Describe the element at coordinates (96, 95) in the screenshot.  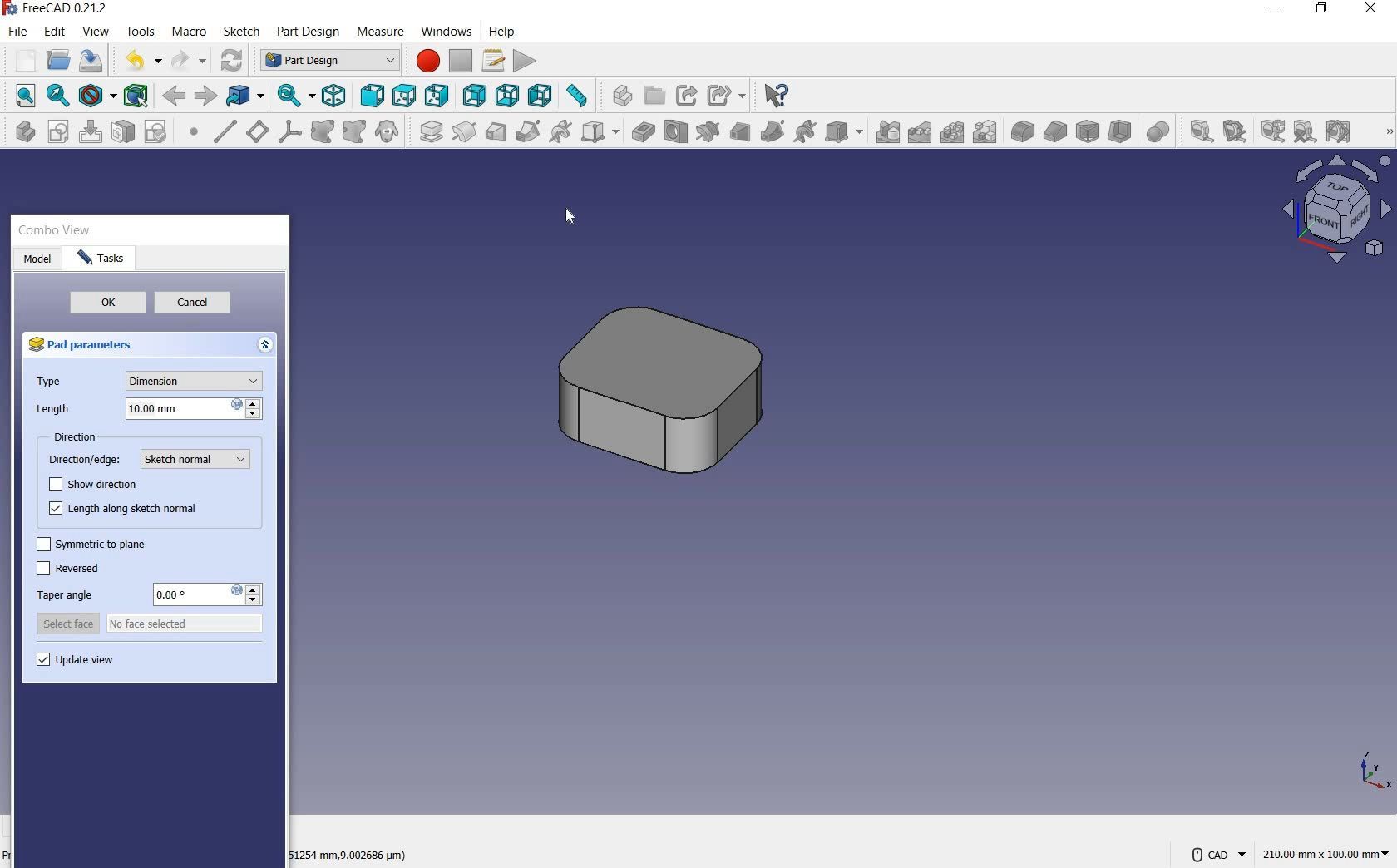
I see `draw style` at that location.